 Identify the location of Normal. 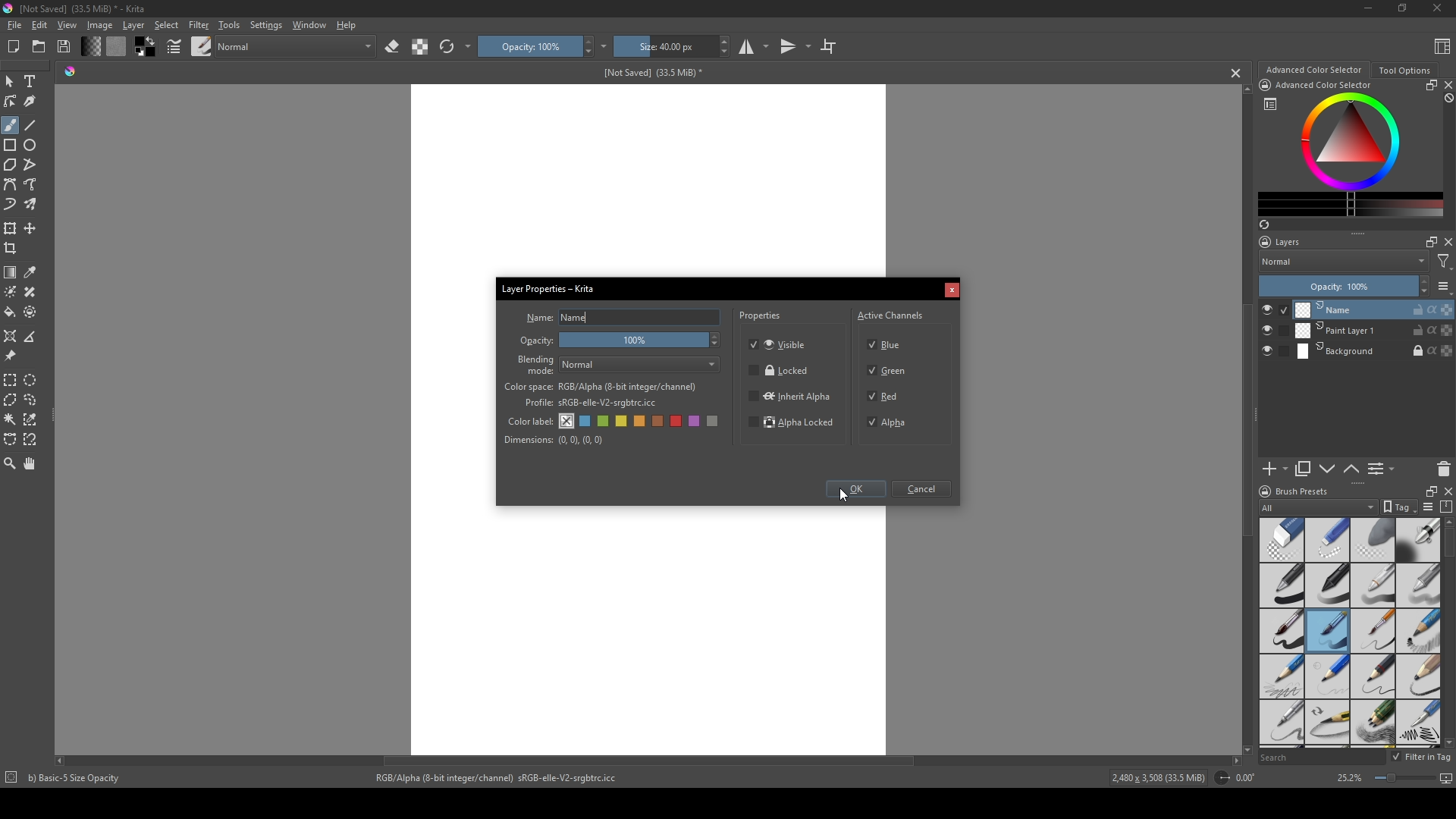
(641, 365).